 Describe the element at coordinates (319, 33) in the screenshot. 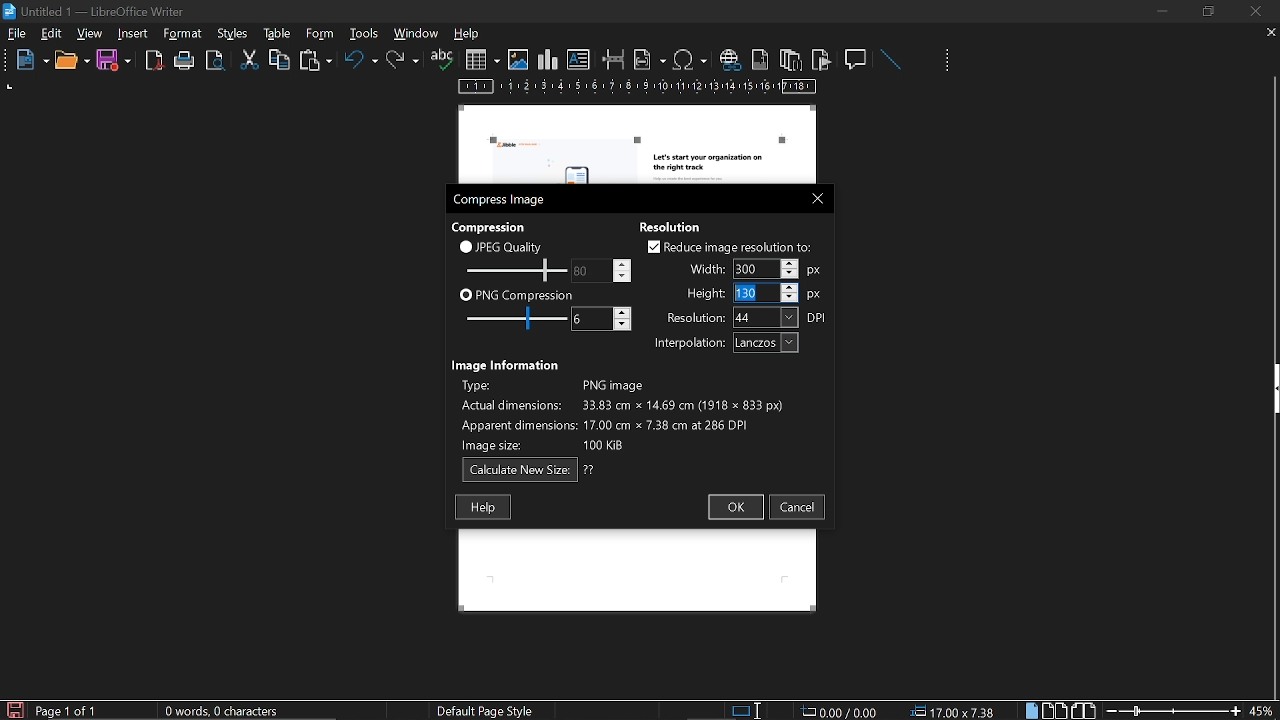

I see `table` at that location.